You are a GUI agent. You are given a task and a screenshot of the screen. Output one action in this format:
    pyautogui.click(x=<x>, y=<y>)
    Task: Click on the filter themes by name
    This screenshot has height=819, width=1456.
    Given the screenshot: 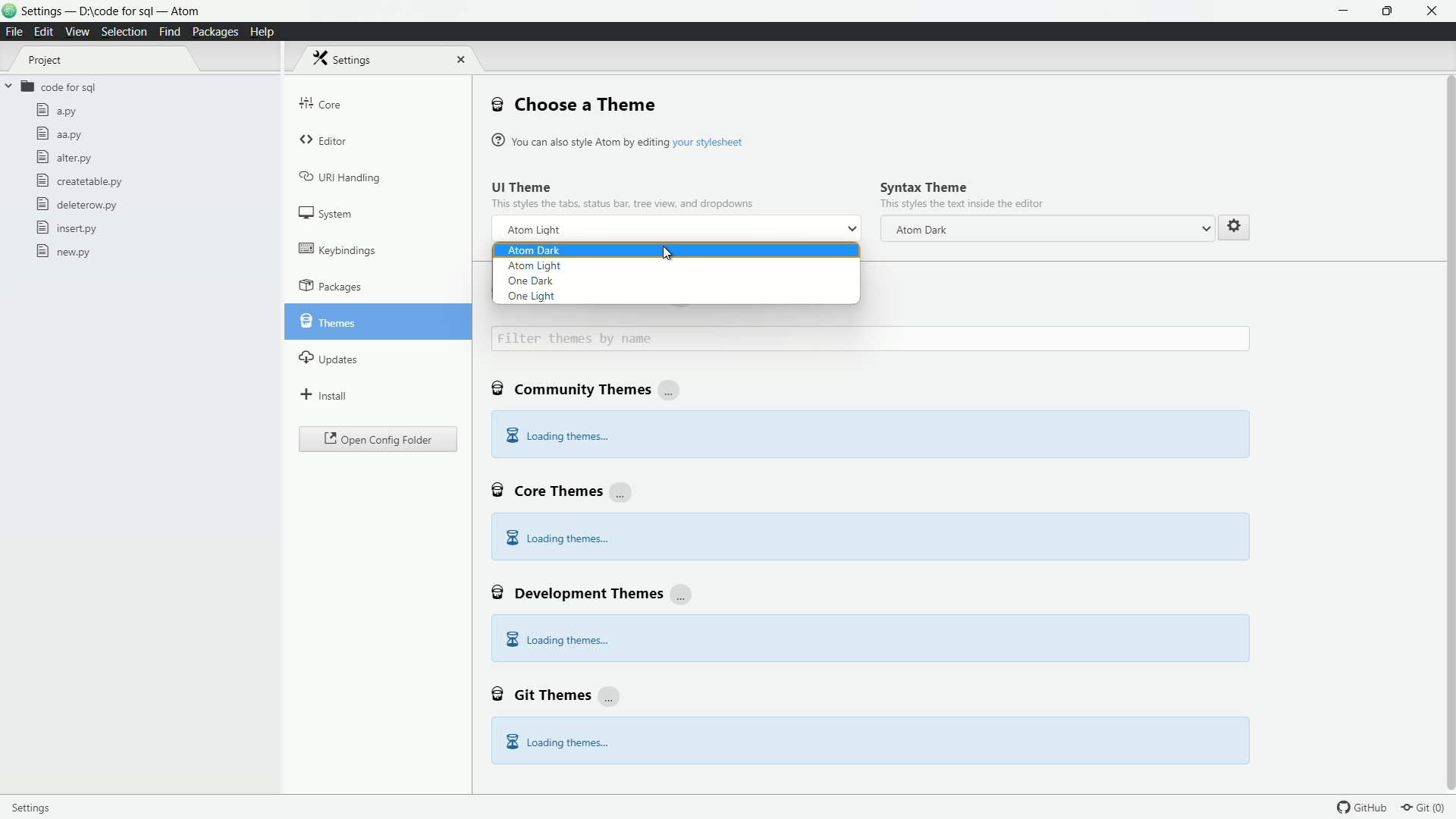 What is the action you would take?
    pyautogui.click(x=871, y=339)
    